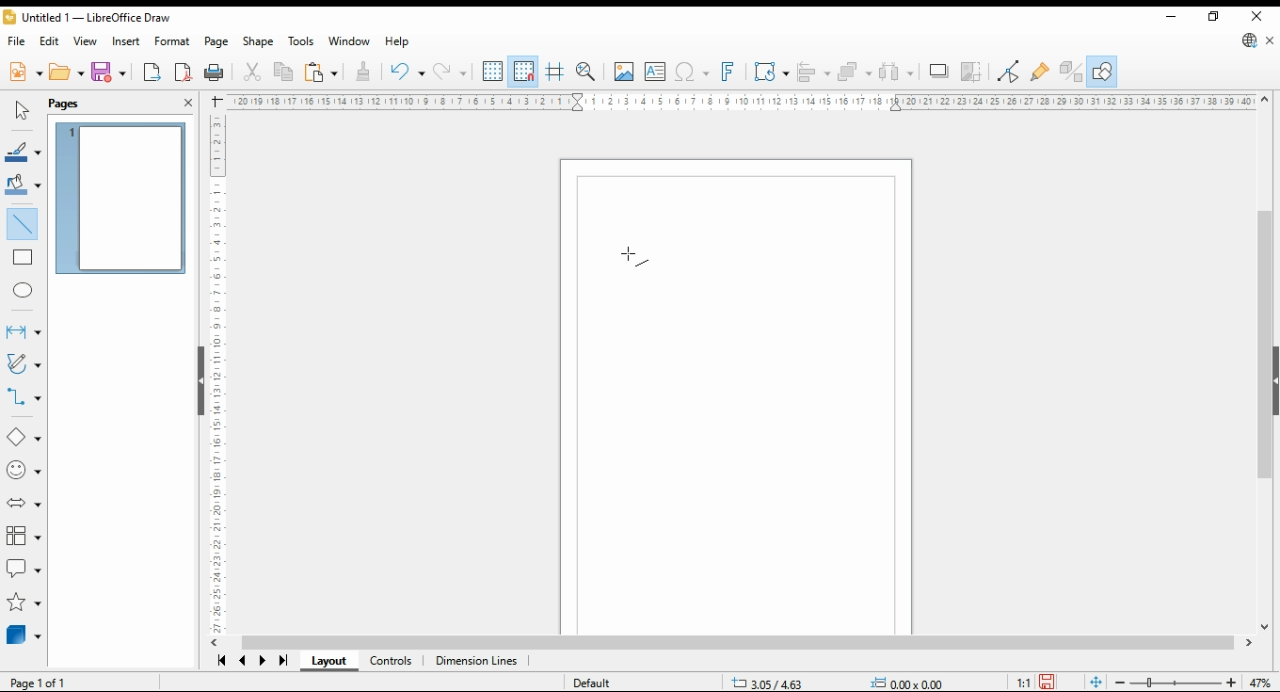 This screenshot has width=1280, height=692. I want to click on libreoffice update, so click(1248, 41).